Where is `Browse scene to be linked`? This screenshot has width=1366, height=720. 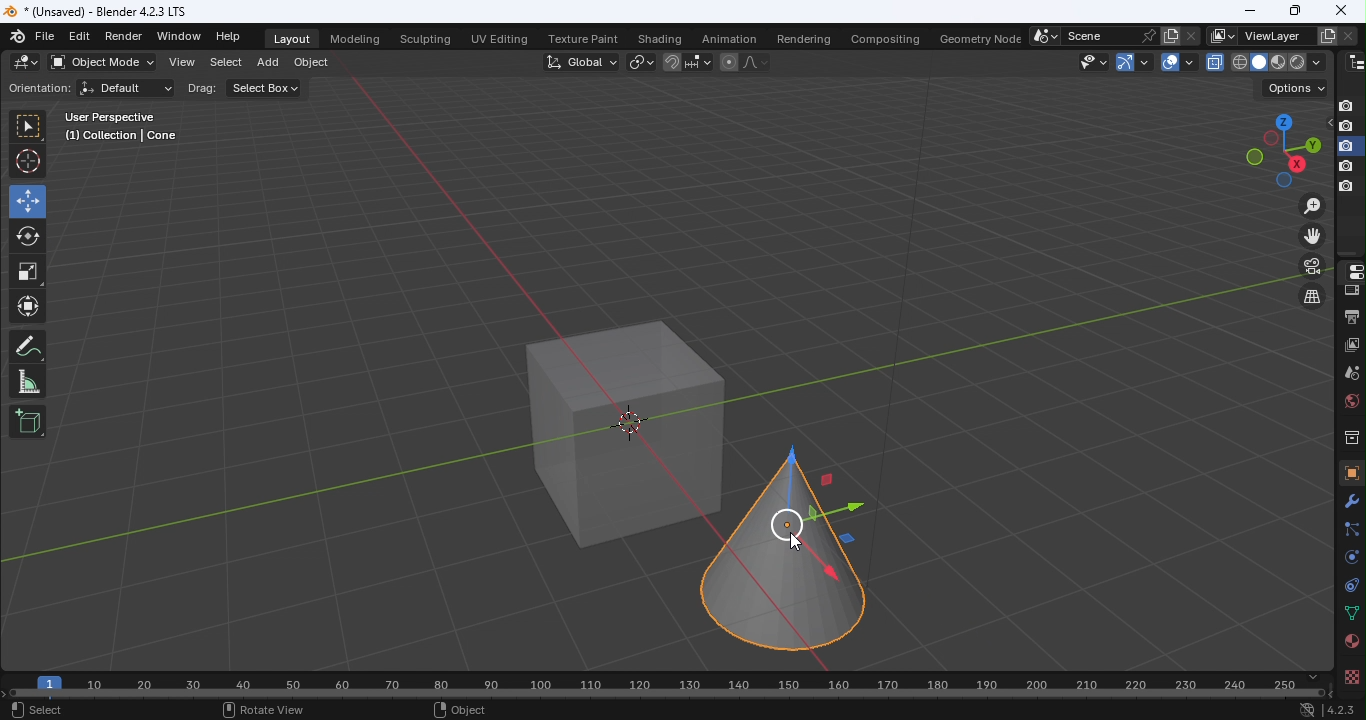 Browse scene to be linked is located at coordinates (1043, 34).